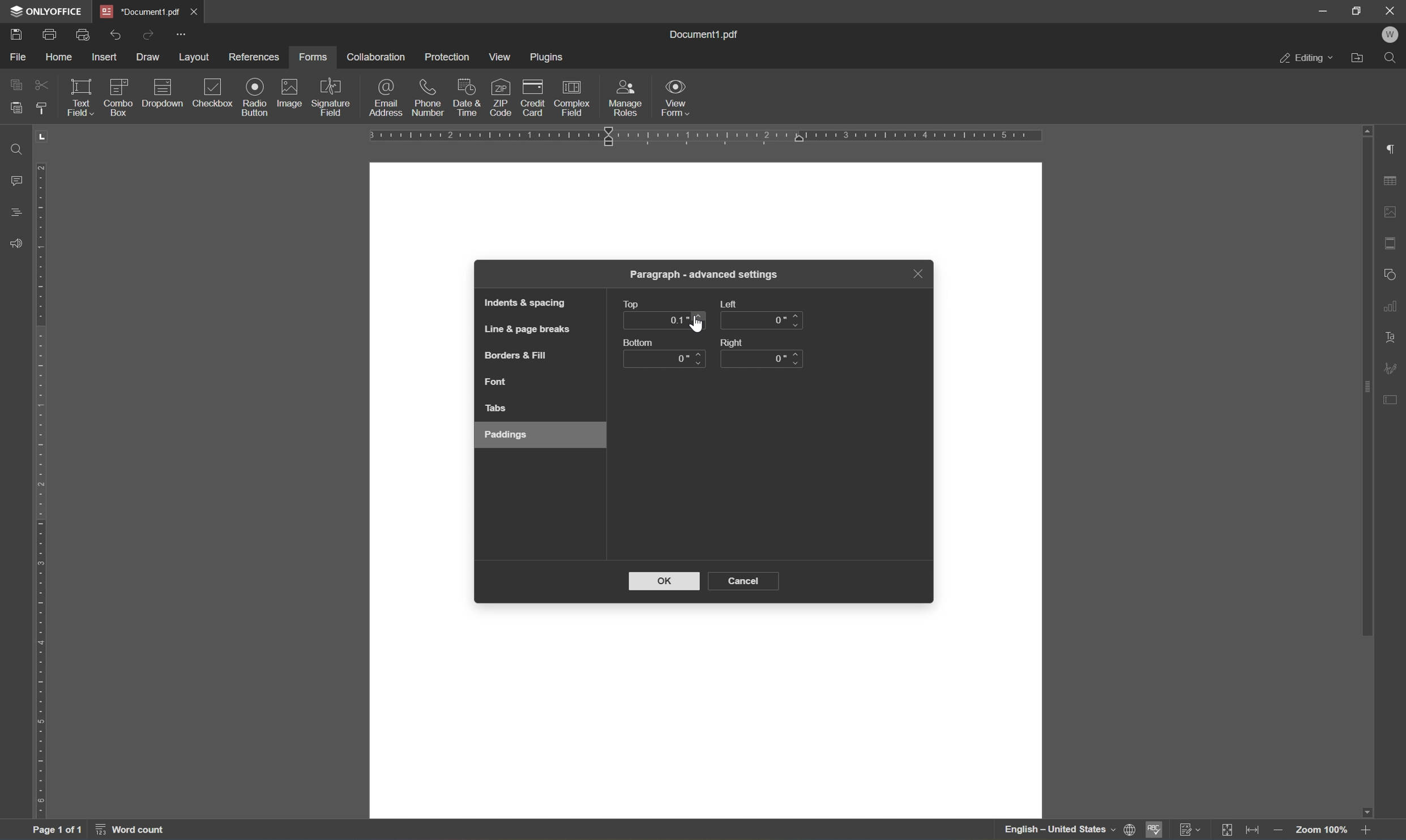 The width and height of the screenshot is (1406, 840). I want to click on signature field, so click(331, 98).